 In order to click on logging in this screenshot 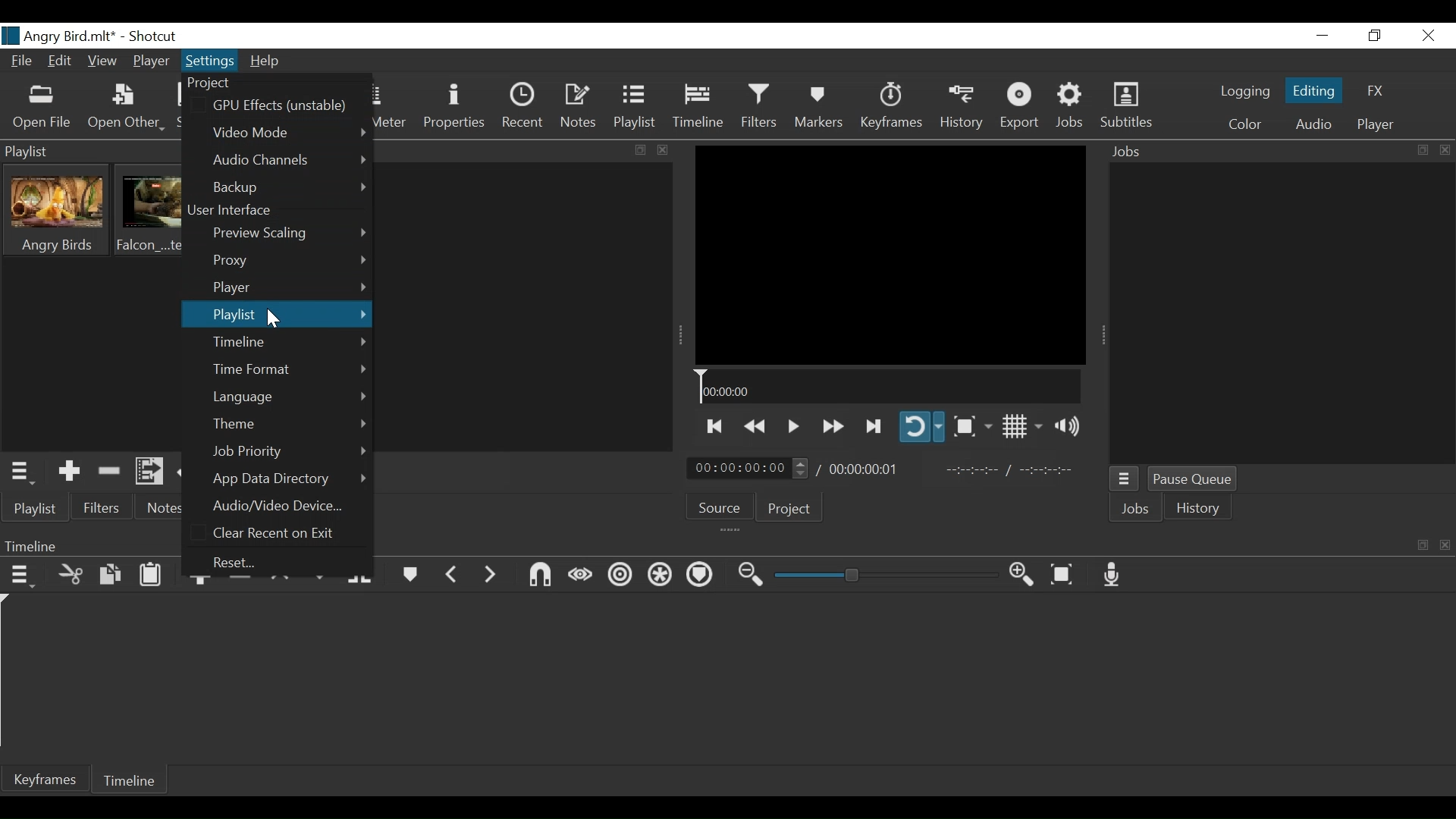, I will do `click(1243, 91)`.